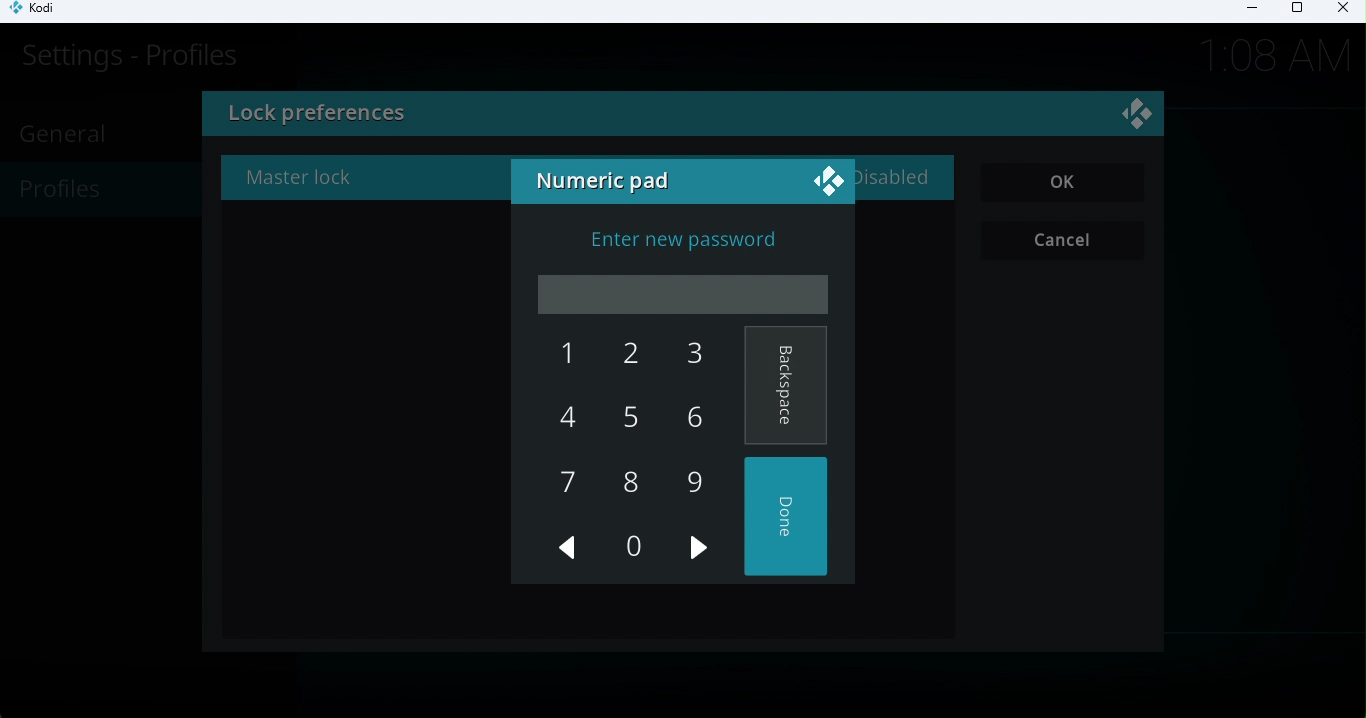  Describe the element at coordinates (631, 546) in the screenshot. I see `0` at that location.